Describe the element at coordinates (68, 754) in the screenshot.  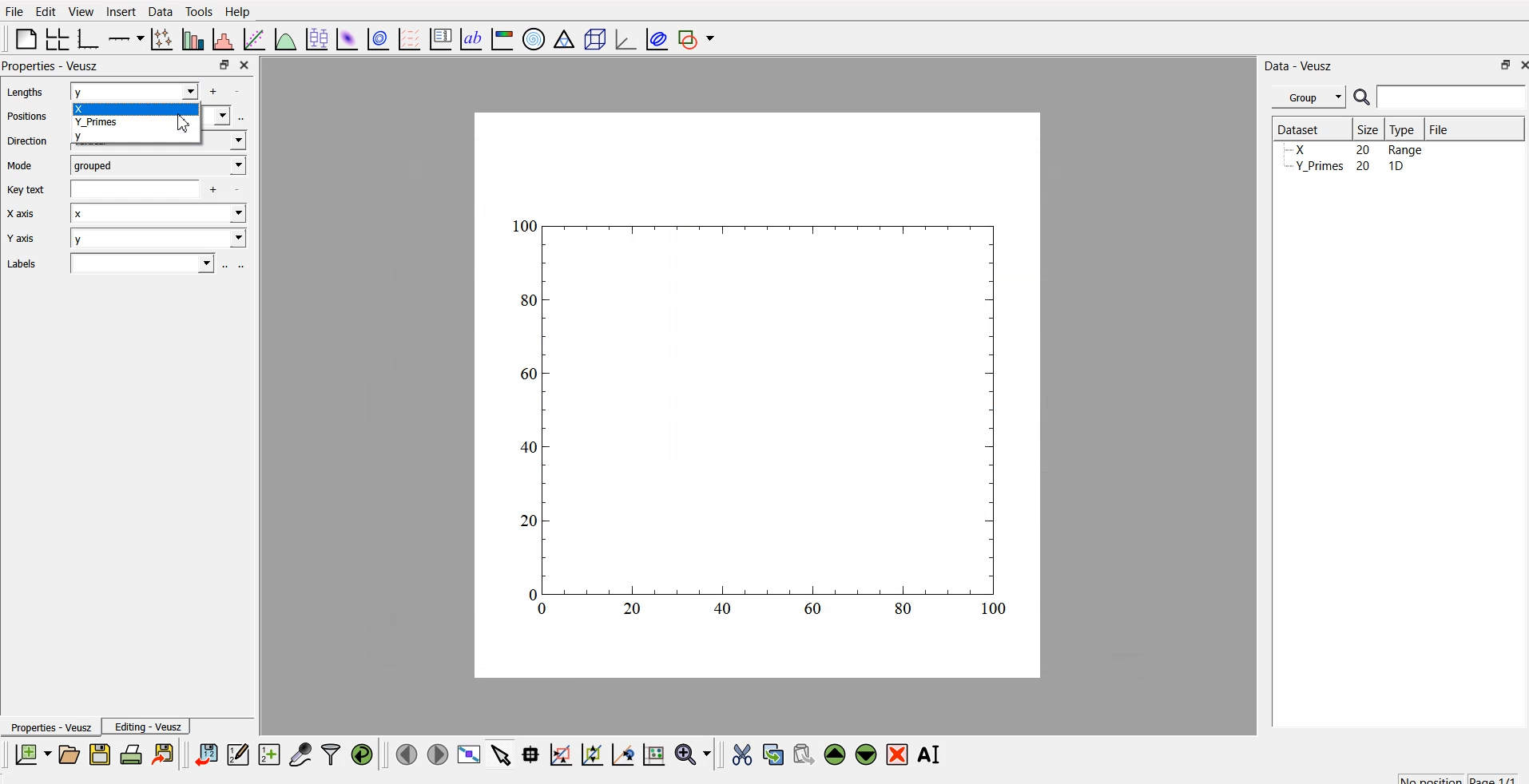
I see `open a document` at that location.